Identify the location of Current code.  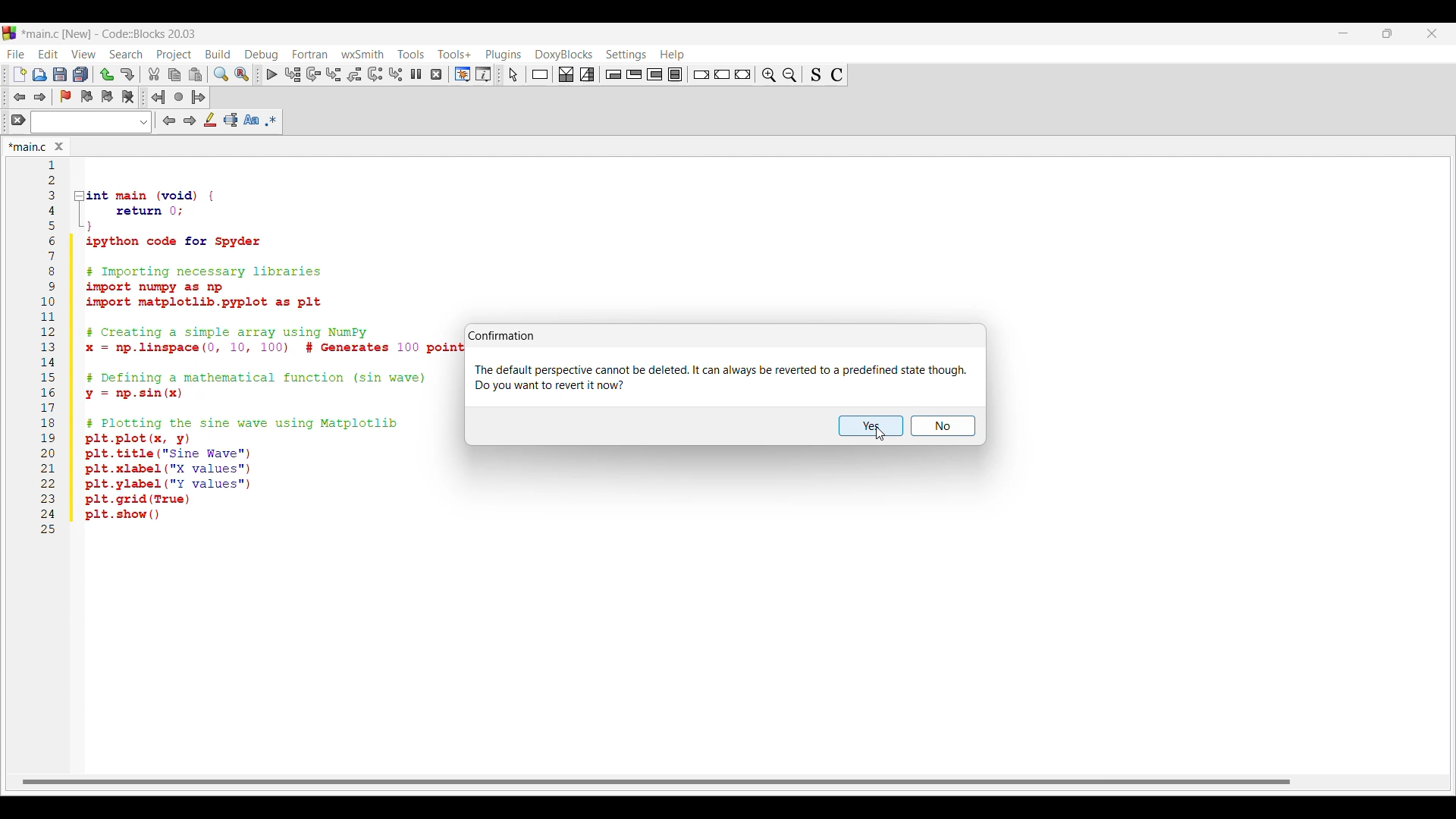
(249, 350).